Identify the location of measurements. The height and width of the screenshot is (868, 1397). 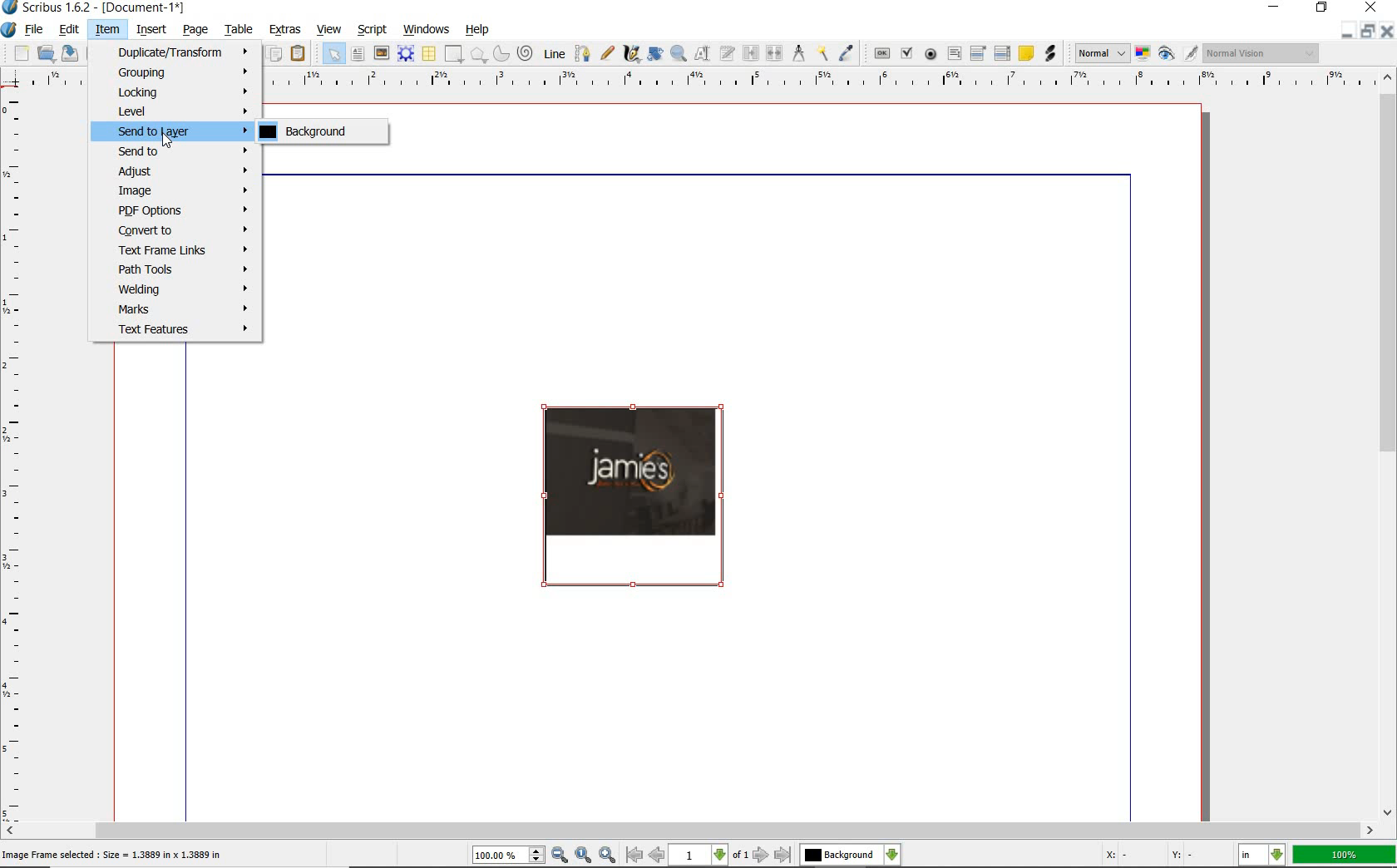
(799, 52).